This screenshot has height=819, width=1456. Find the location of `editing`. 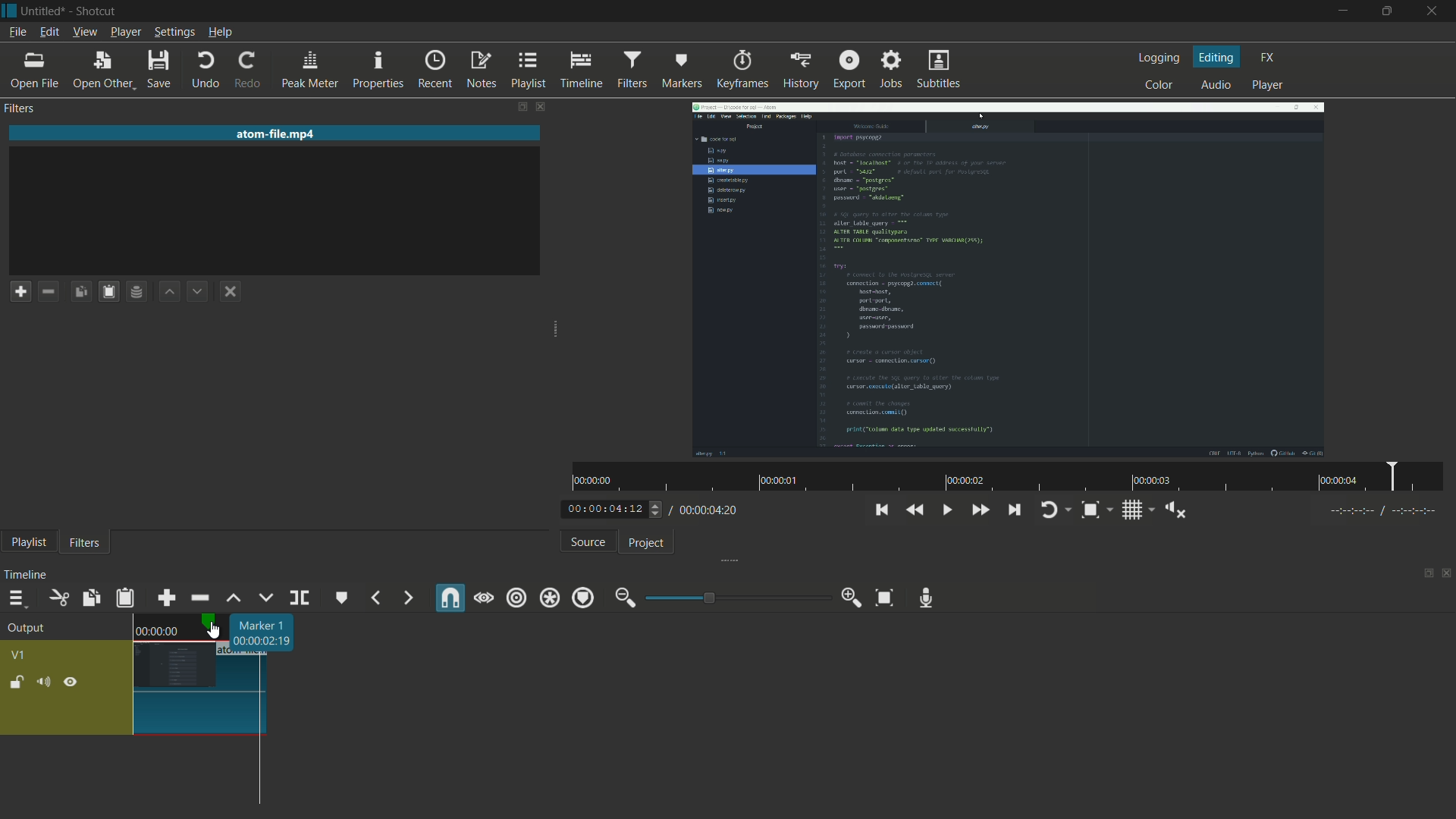

editing is located at coordinates (1216, 58).